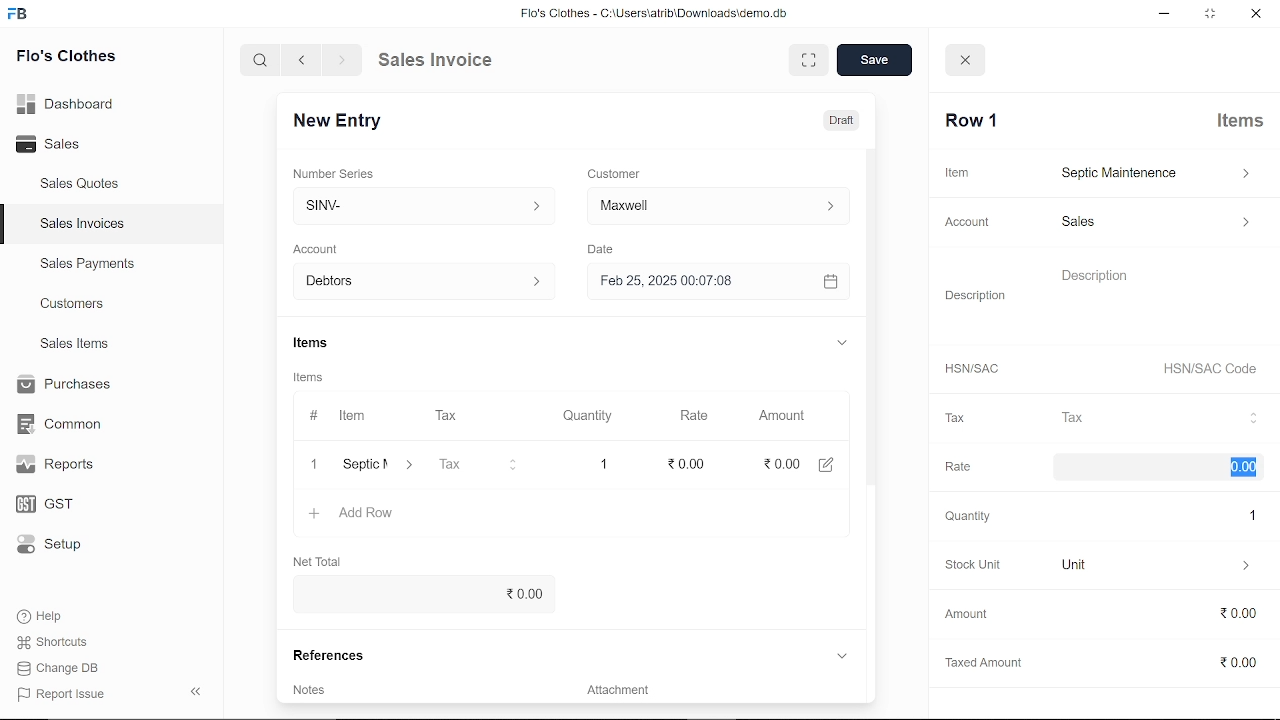  What do you see at coordinates (87, 264) in the screenshot?
I see `Sales Payments` at bounding box center [87, 264].